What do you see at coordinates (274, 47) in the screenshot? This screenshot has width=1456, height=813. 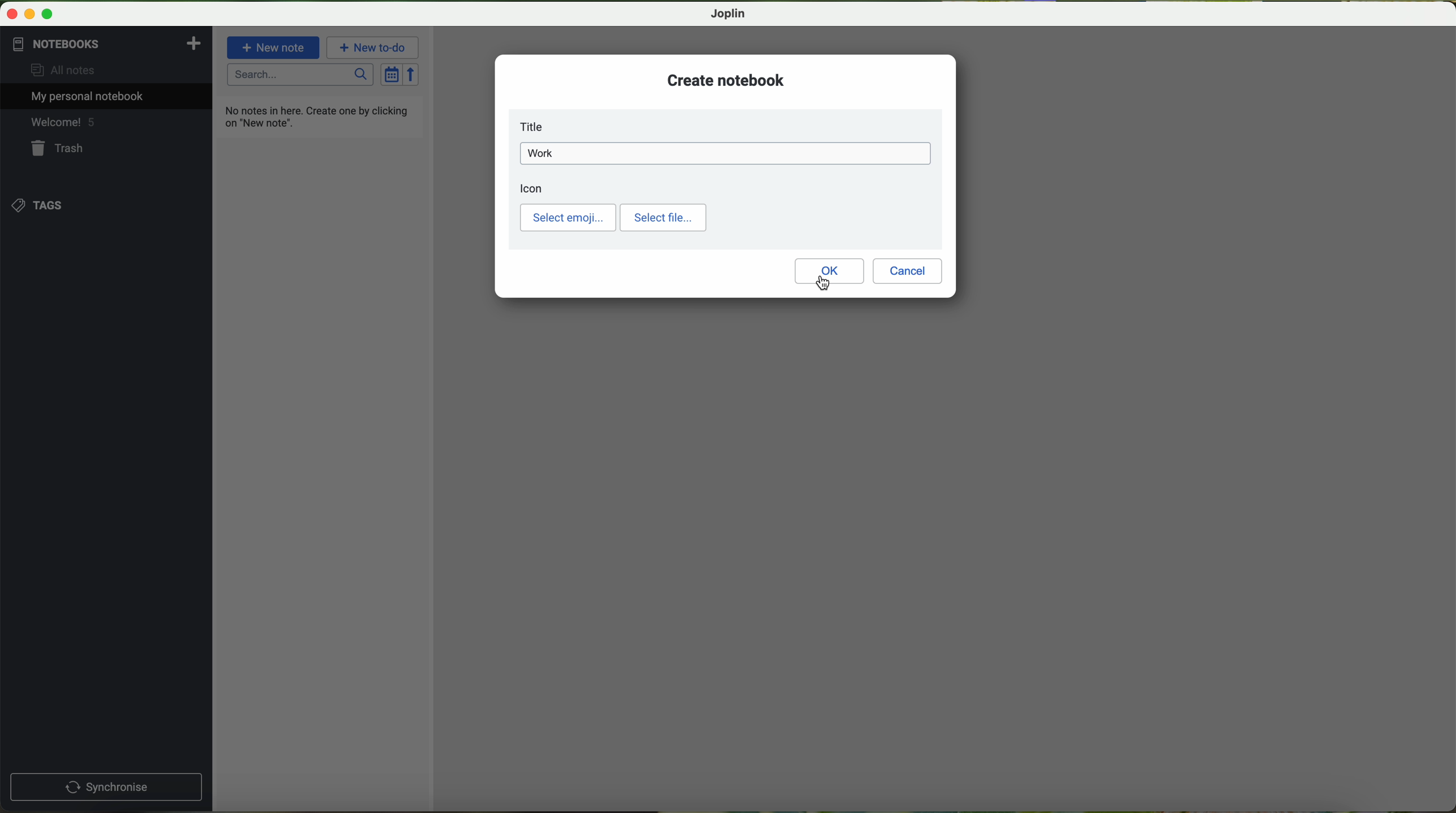 I see `new note button` at bounding box center [274, 47].